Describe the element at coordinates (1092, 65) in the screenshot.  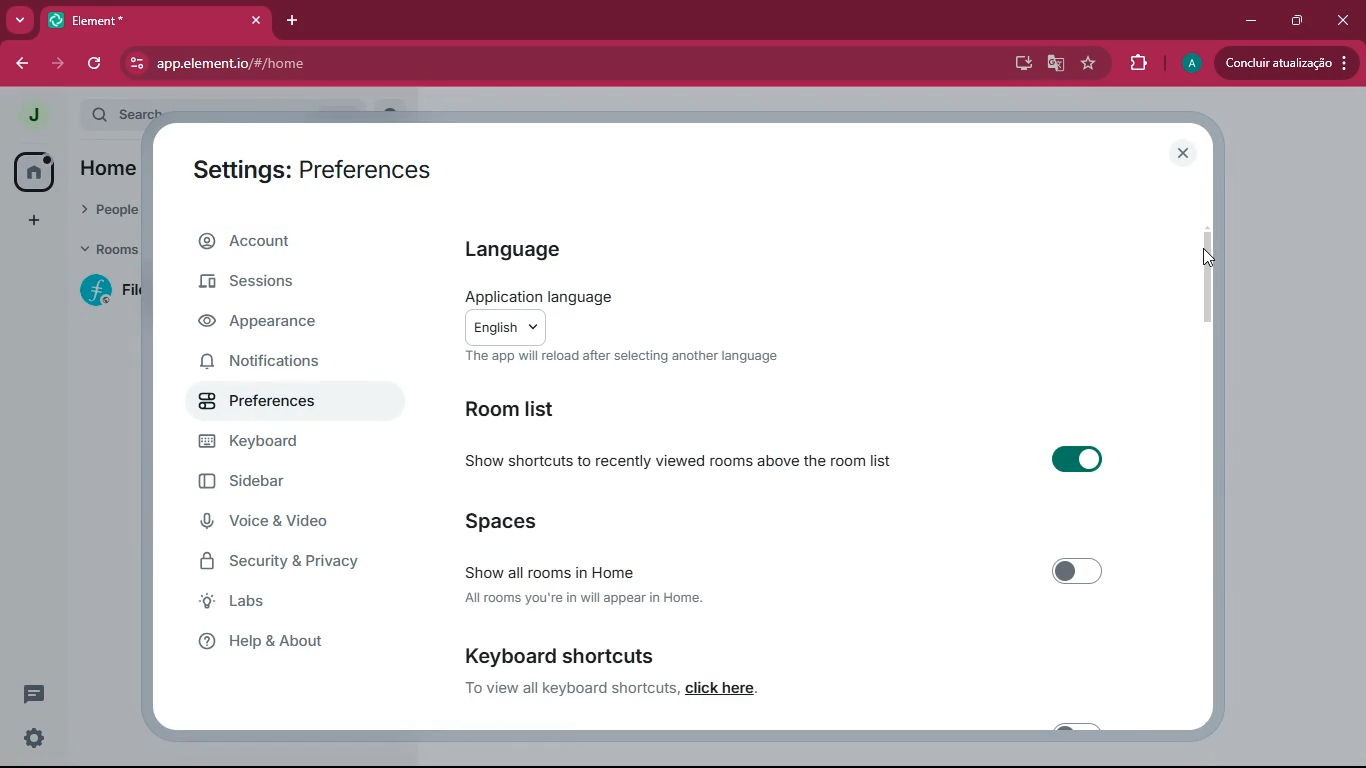
I see `favourite` at that location.